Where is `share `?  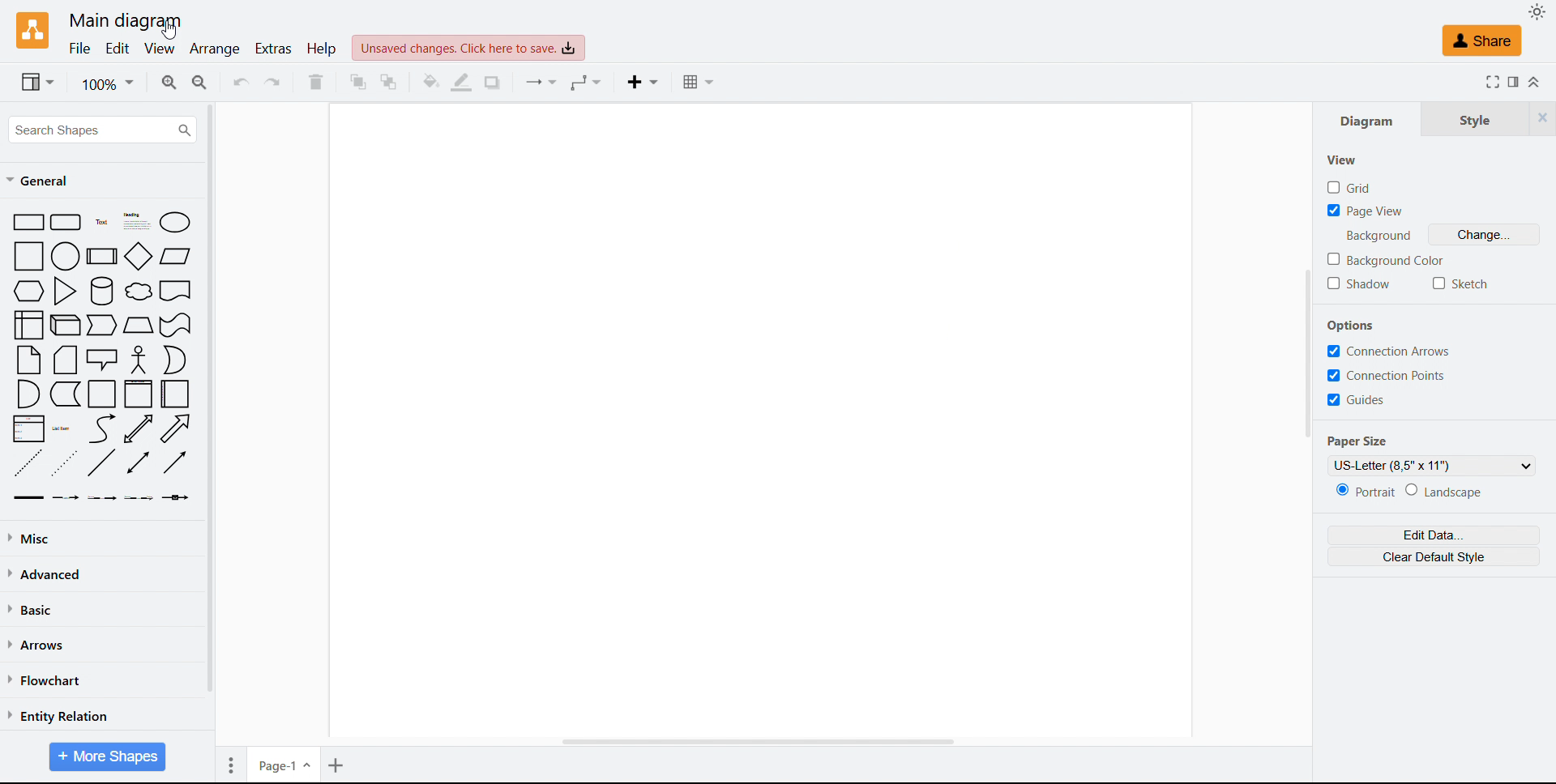
share  is located at coordinates (1483, 40).